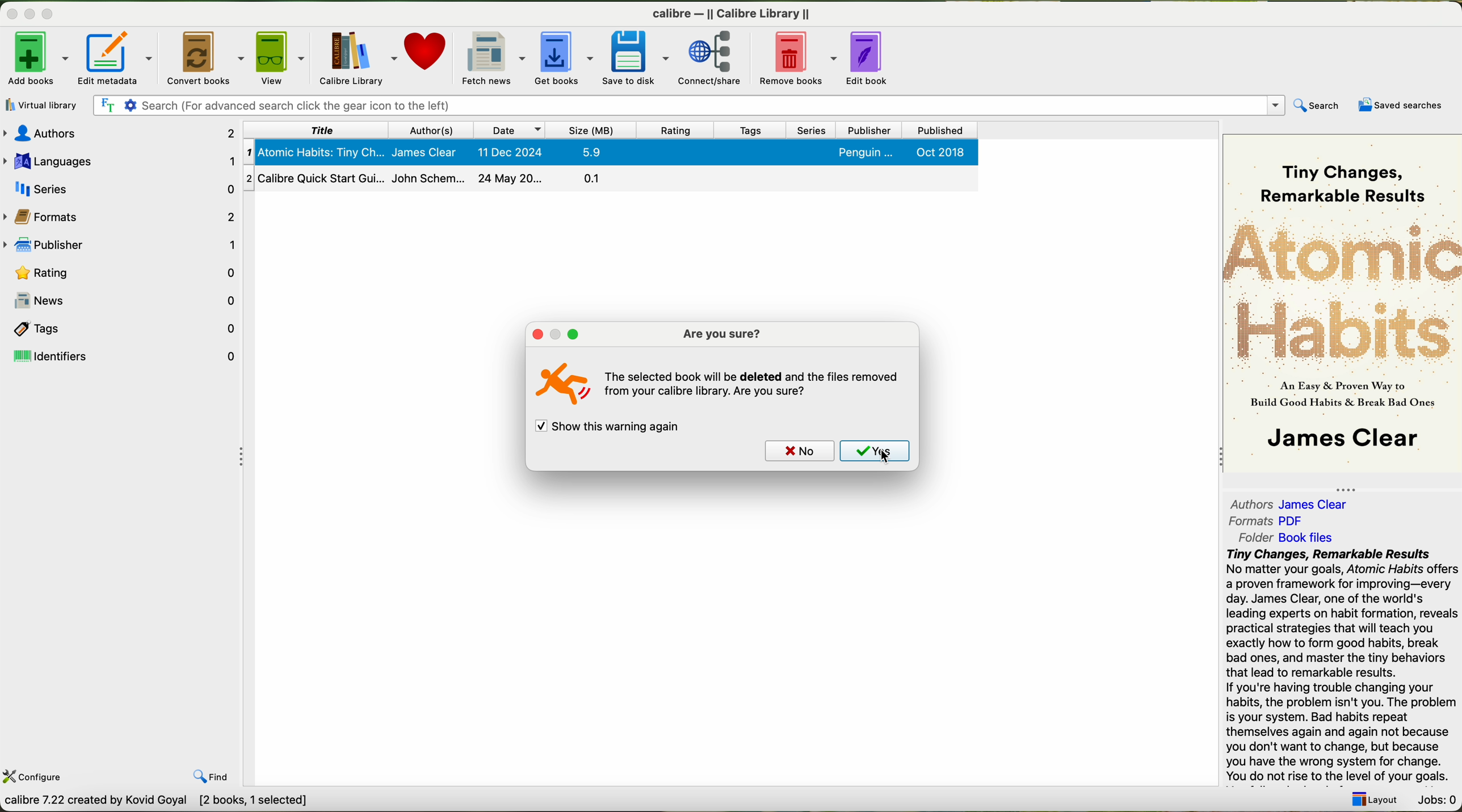 This screenshot has width=1462, height=812. What do you see at coordinates (10, 15) in the screenshot?
I see `close program` at bounding box center [10, 15].